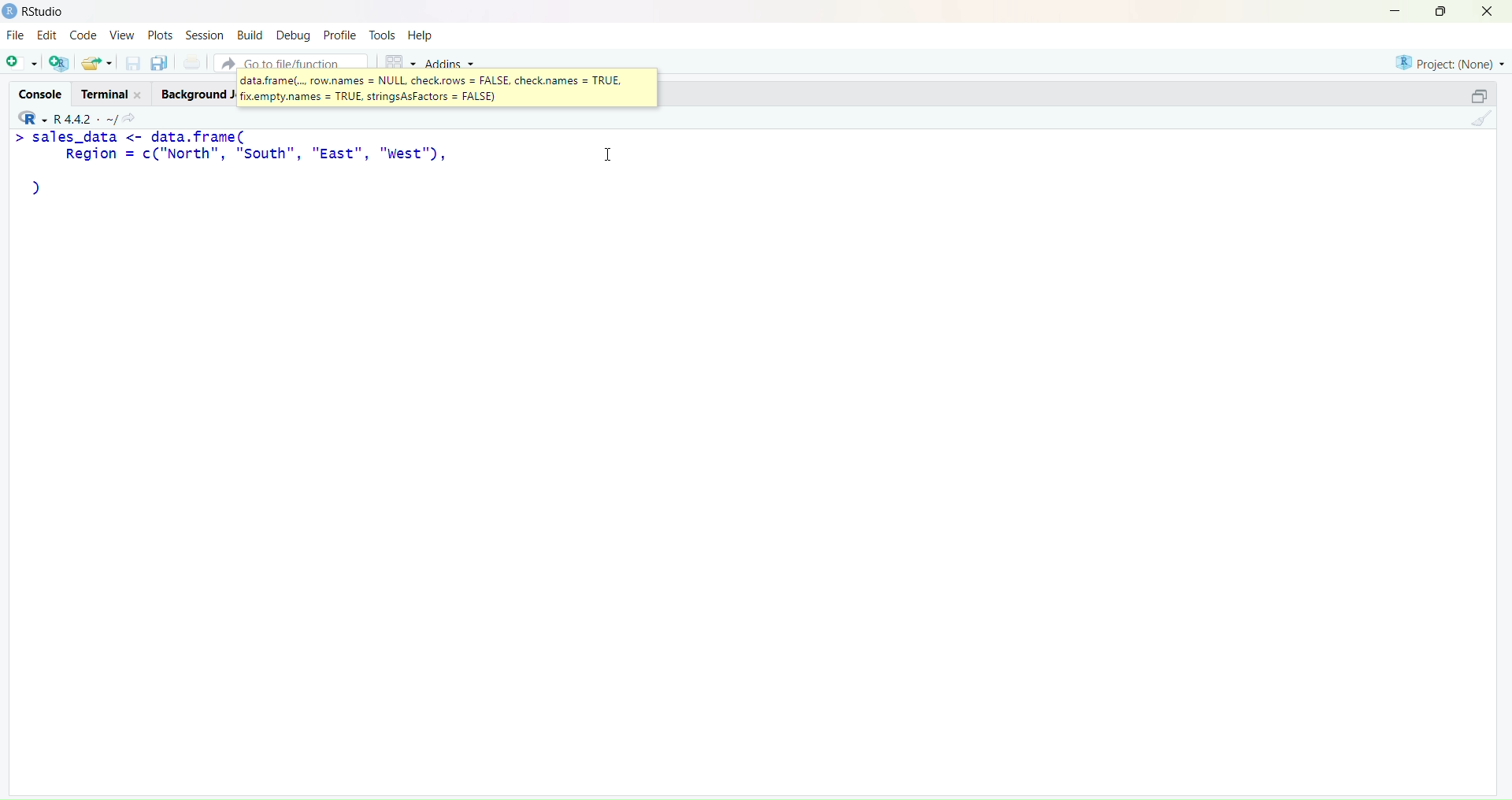 The width and height of the screenshot is (1512, 800). I want to click on Background Jobs, so click(195, 94).